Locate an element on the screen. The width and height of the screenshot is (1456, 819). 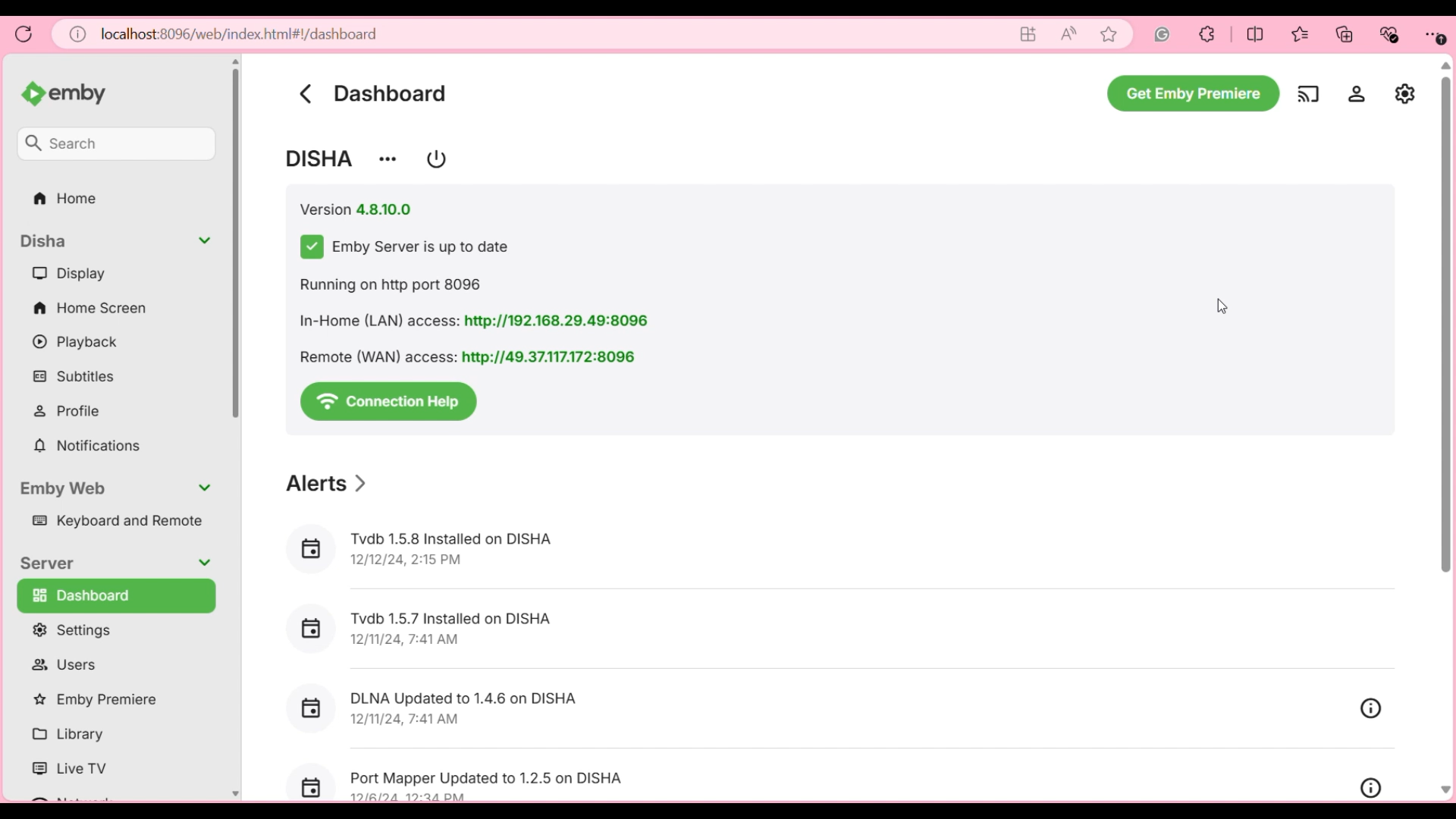
Manage Emby server is located at coordinates (1405, 93).